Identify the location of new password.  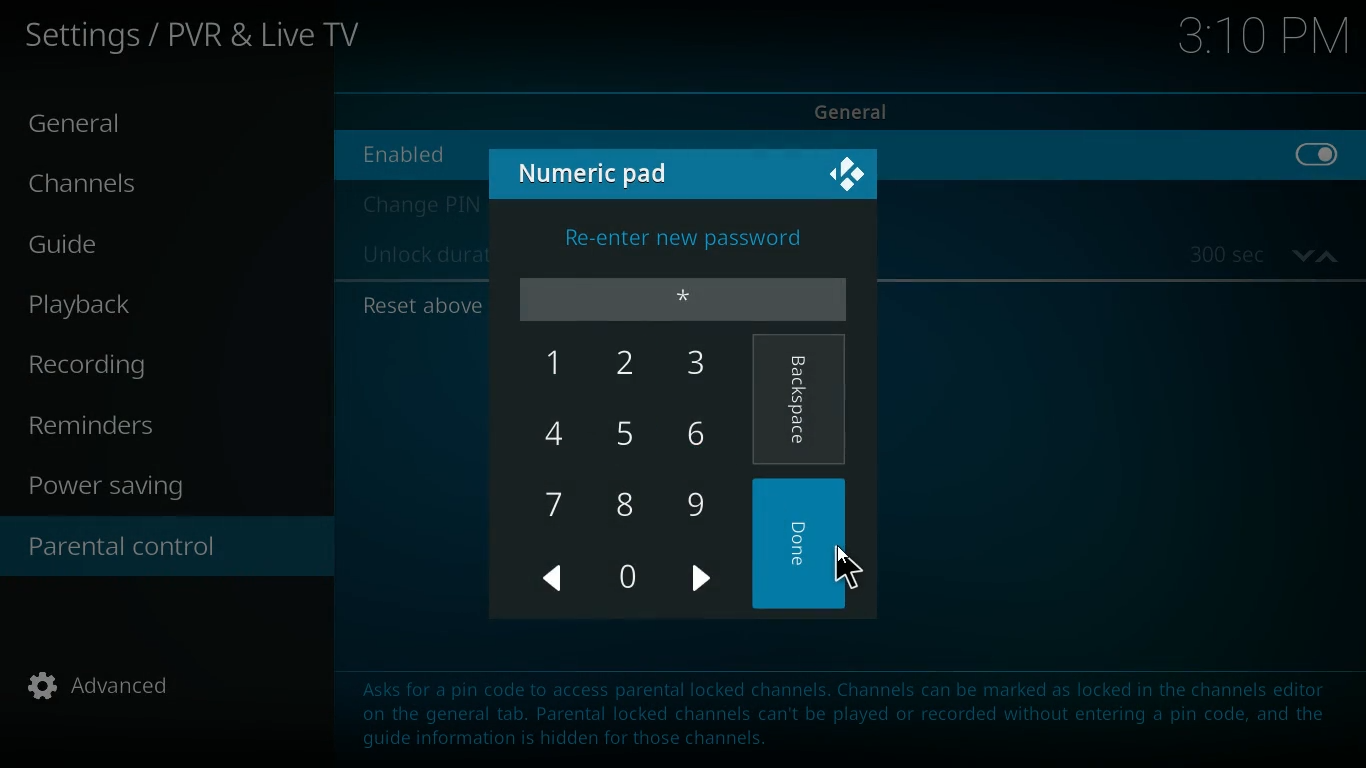
(684, 298).